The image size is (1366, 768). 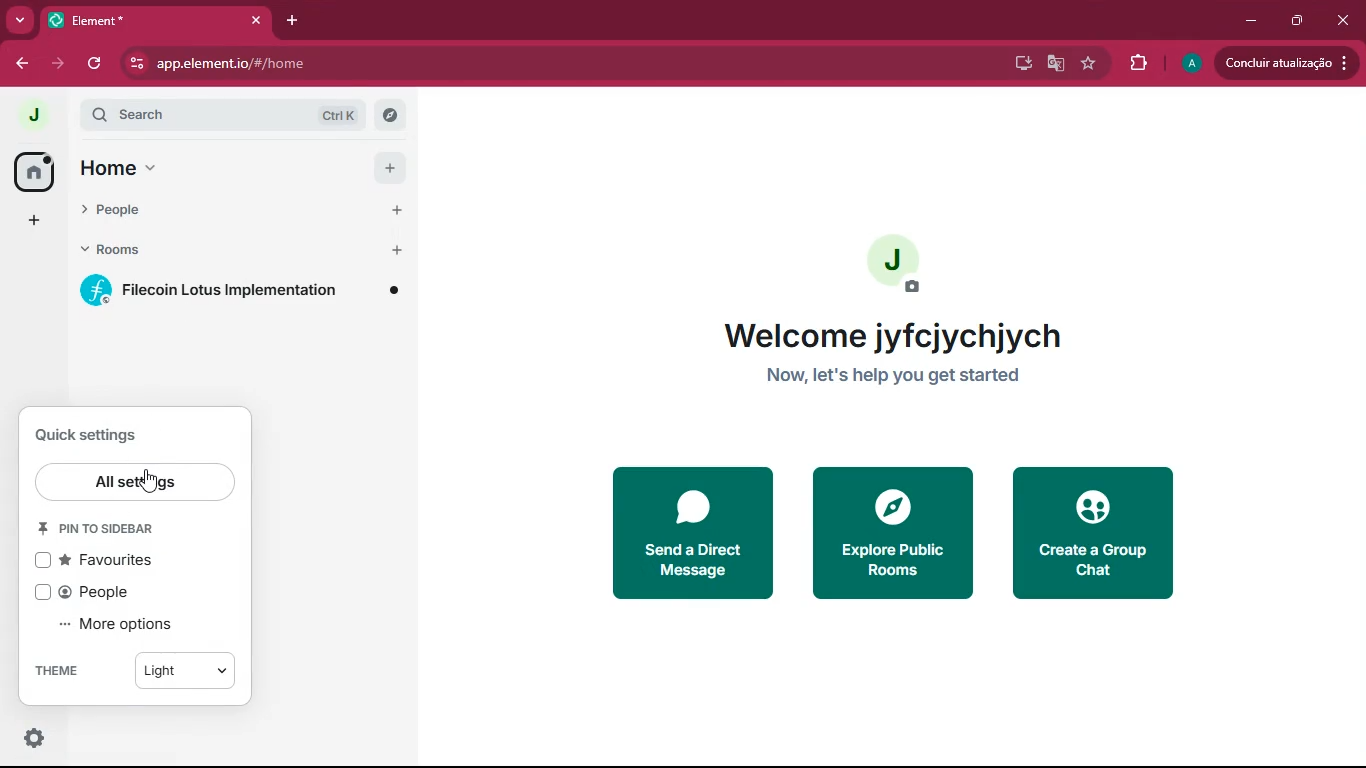 I want to click on refersh, so click(x=96, y=63).